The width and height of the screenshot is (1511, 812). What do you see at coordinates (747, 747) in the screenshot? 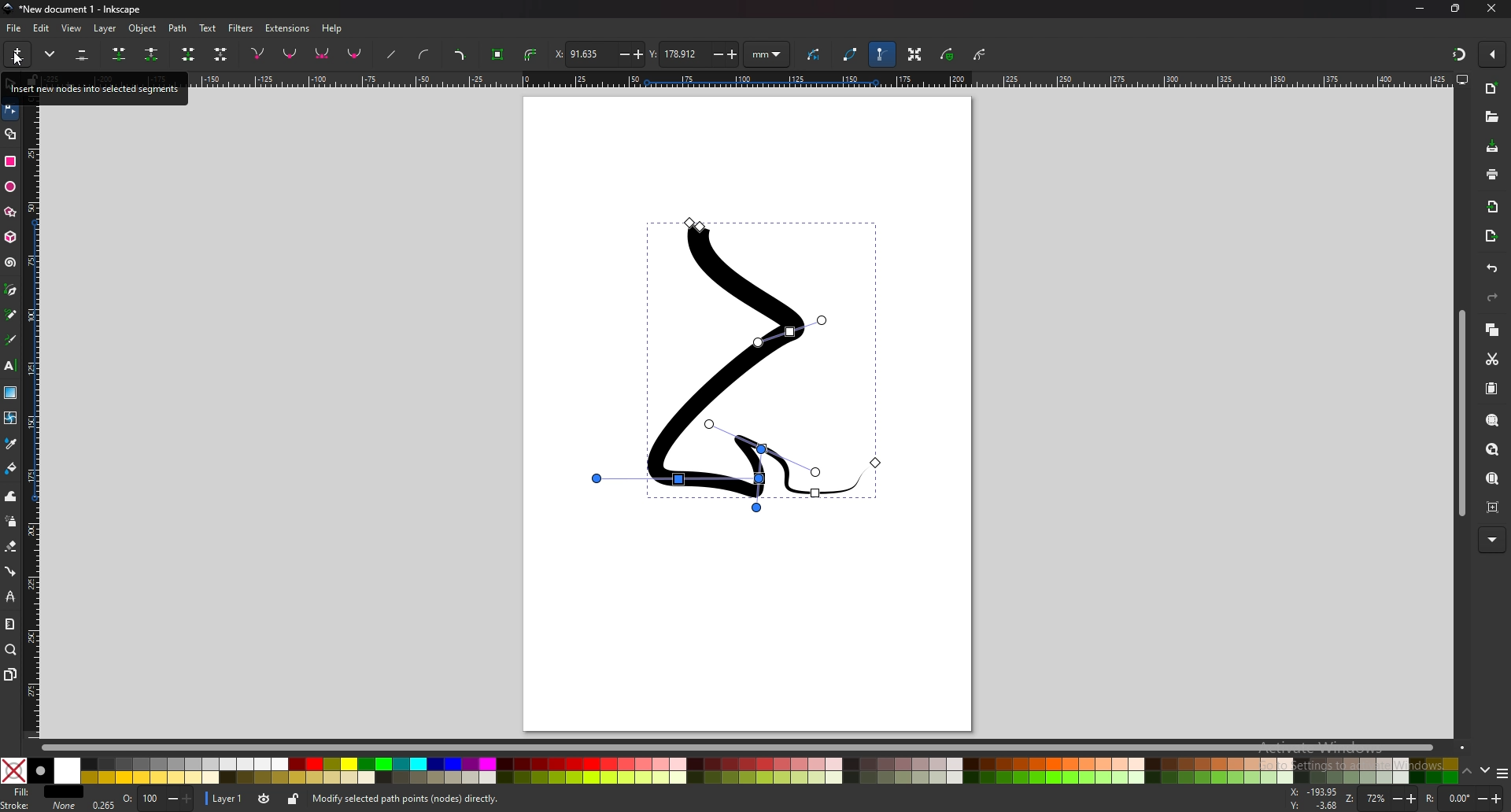
I see `scroll bar` at bounding box center [747, 747].